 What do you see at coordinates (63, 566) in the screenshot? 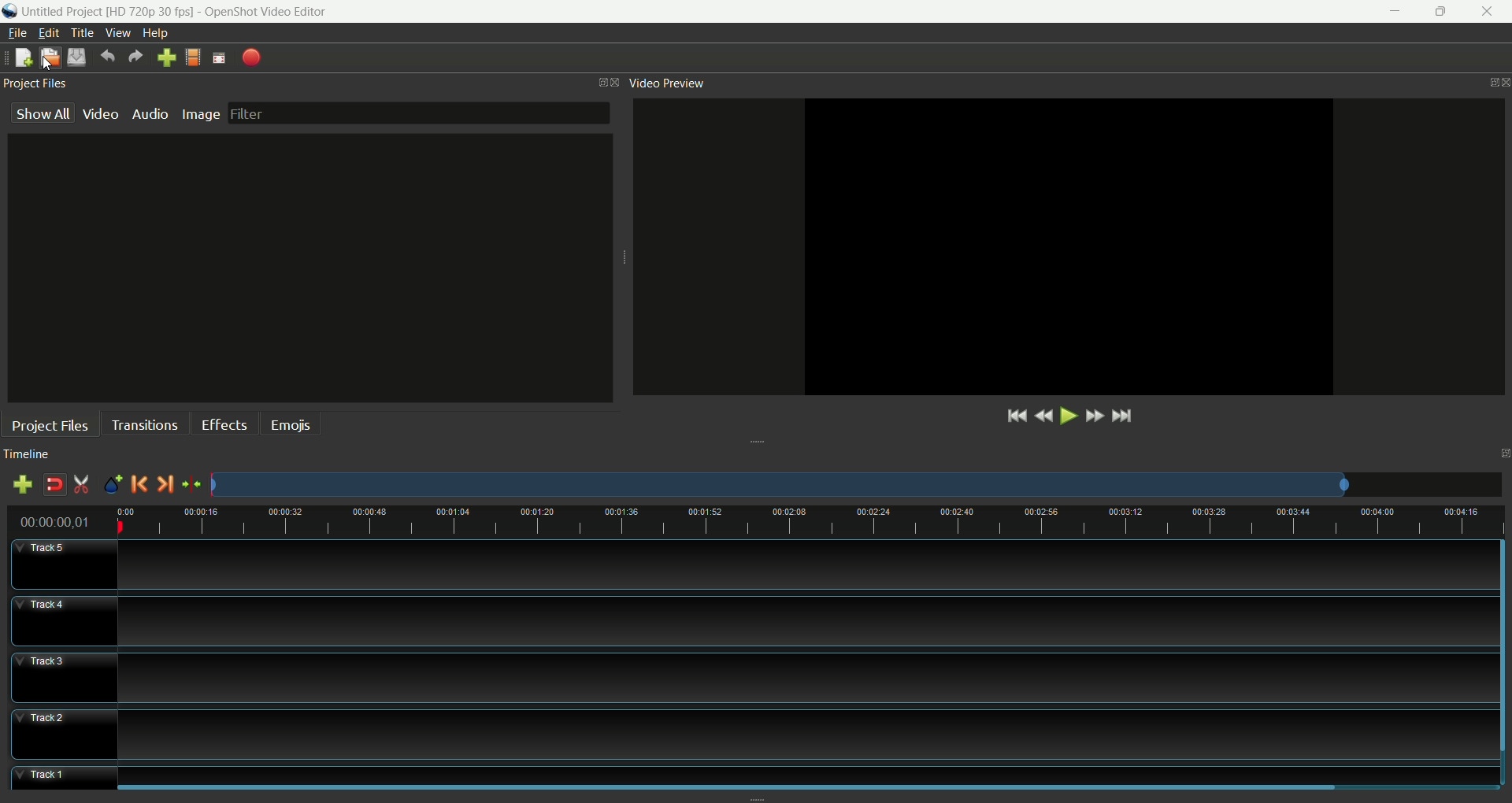
I see `track5` at bounding box center [63, 566].